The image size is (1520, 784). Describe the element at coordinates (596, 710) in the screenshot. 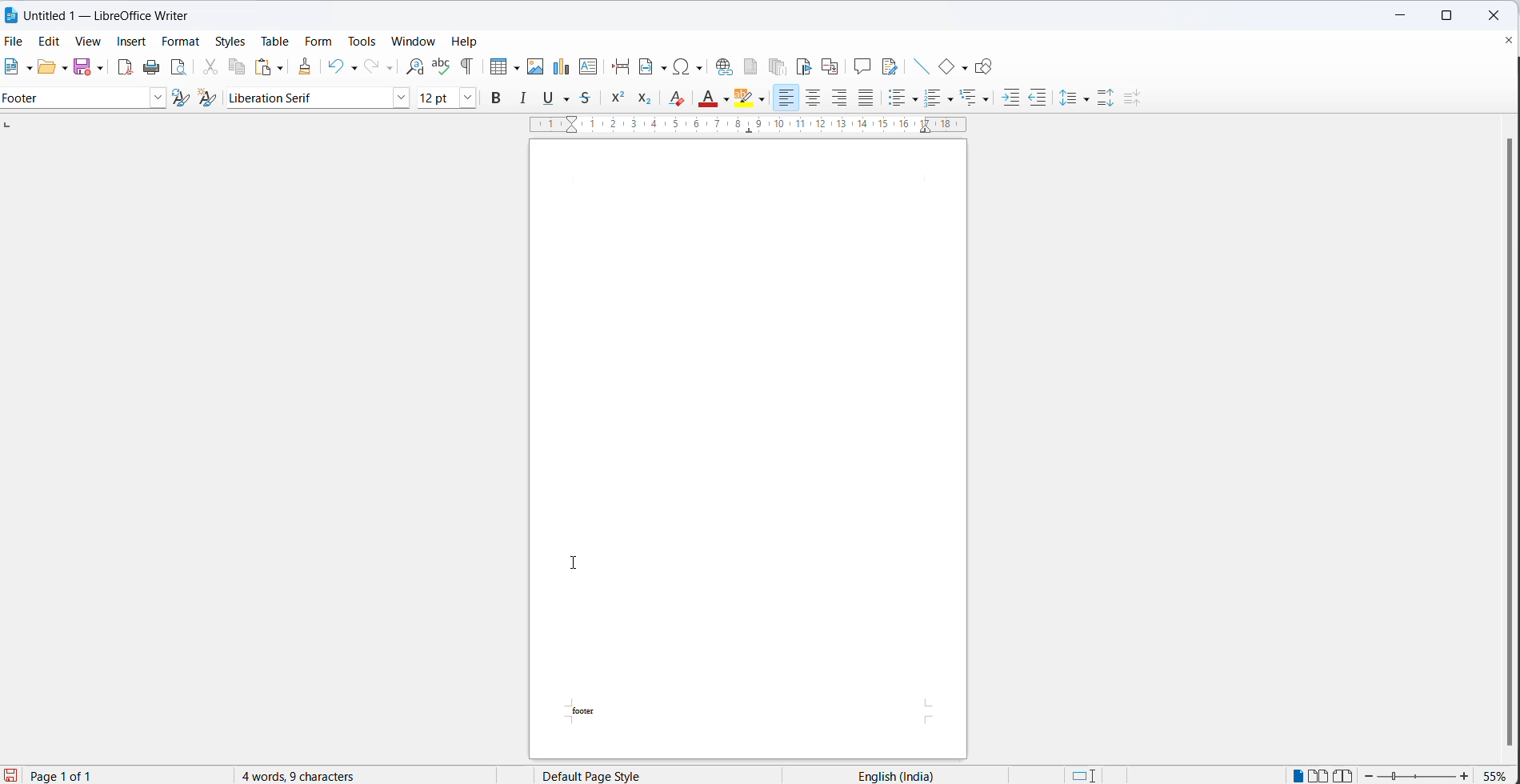

I see `footer text` at that location.